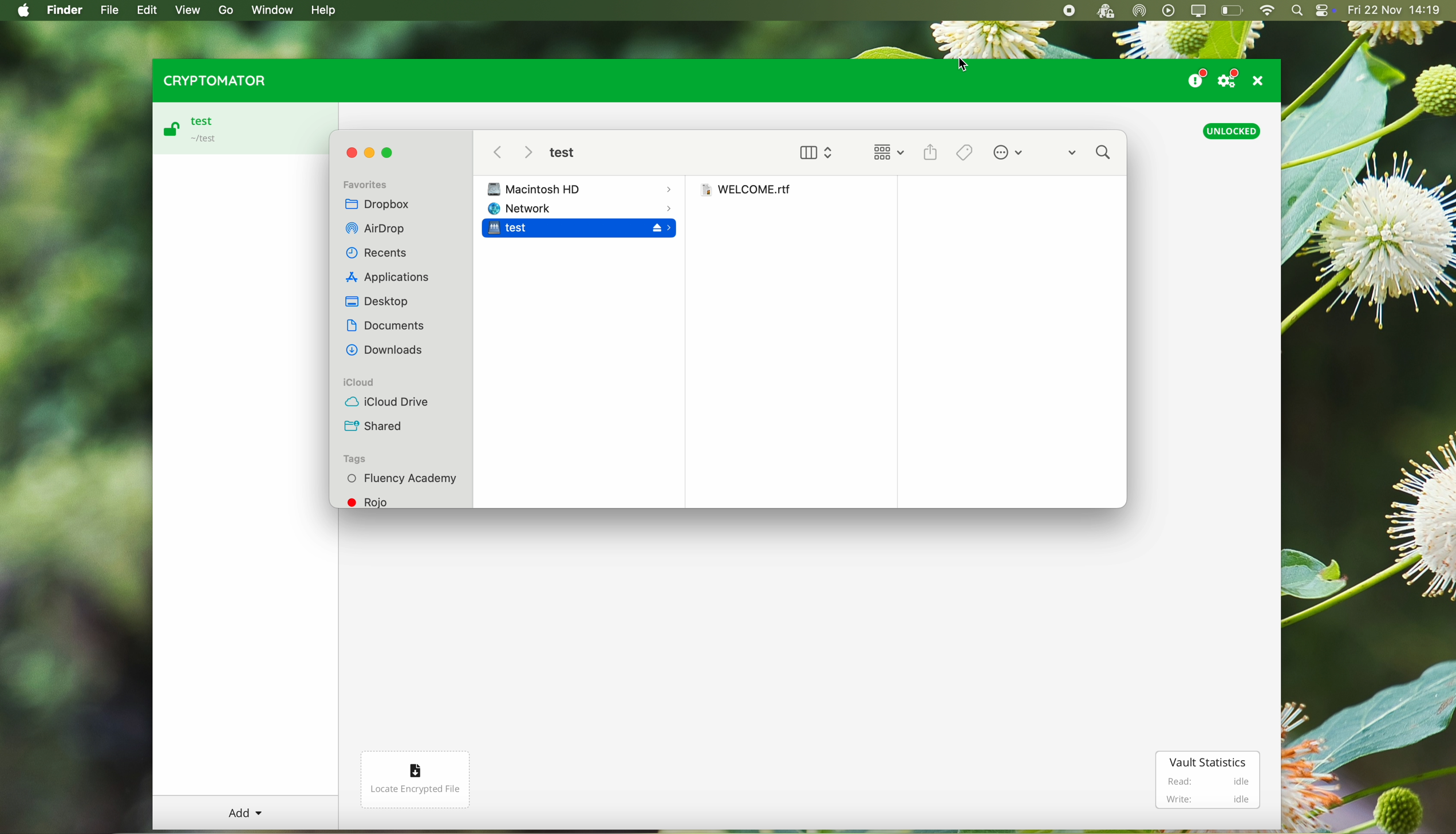 The width and height of the screenshot is (1456, 834). What do you see at coordinates (388, 278) in the screenshot?
I see `applications` at bounding box center [388, 278].